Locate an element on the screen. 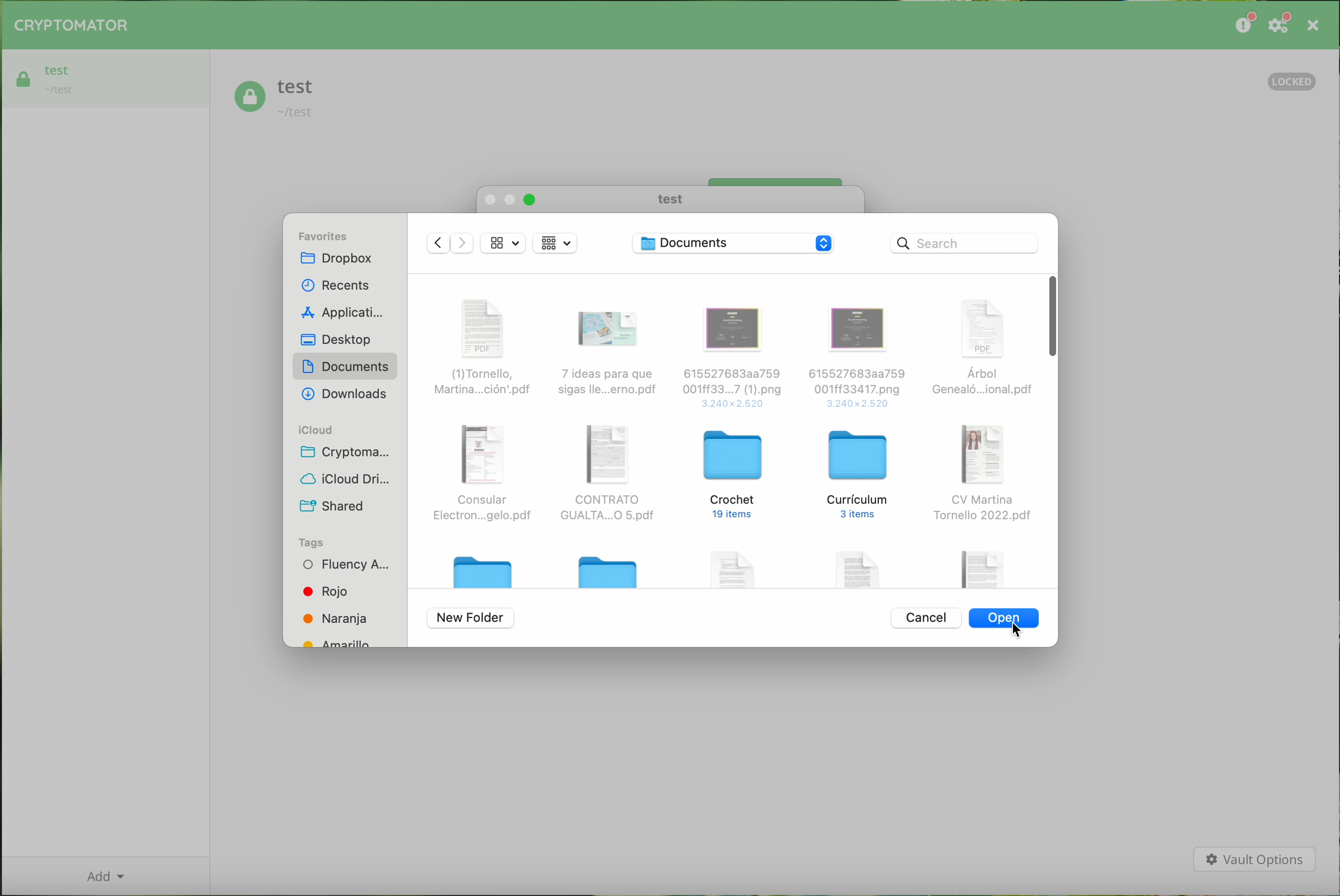  cryptomator is located at coordinates (351, 453).